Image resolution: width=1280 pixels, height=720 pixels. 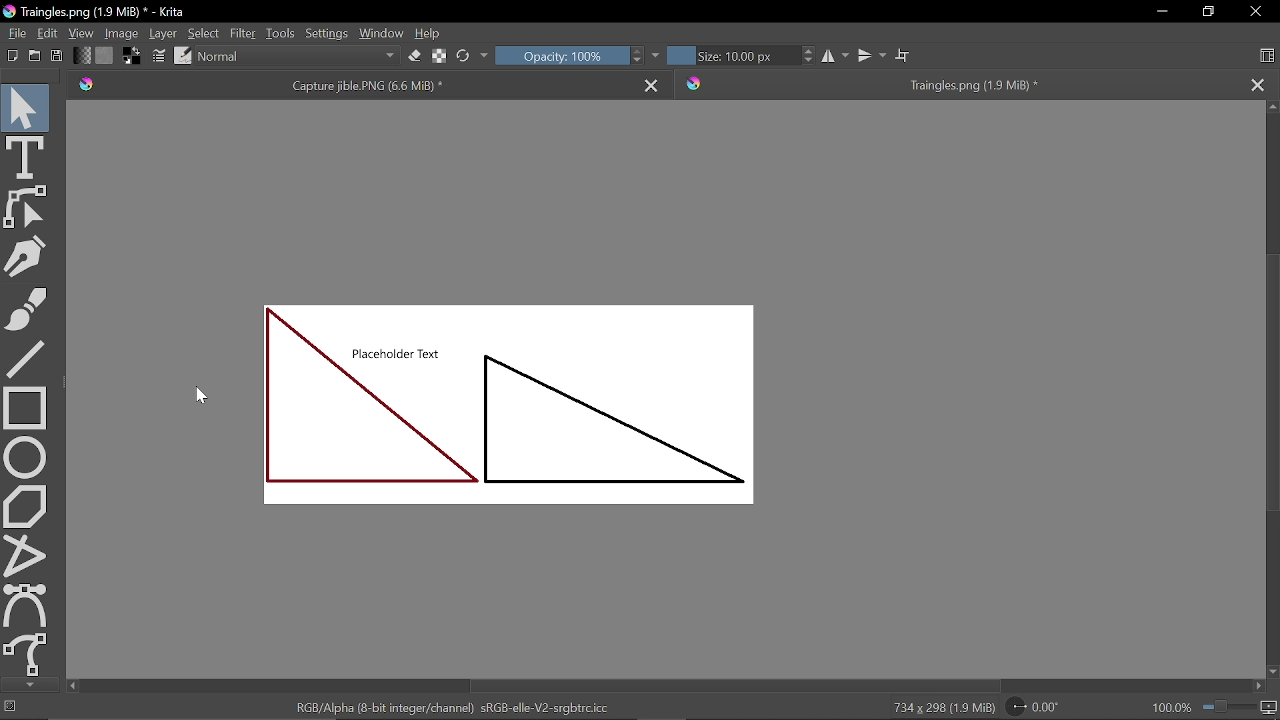 What do you see at coordinates (27, 685) in the screenshot?
I see `Move down in tools` at bounding box center [27, 685].